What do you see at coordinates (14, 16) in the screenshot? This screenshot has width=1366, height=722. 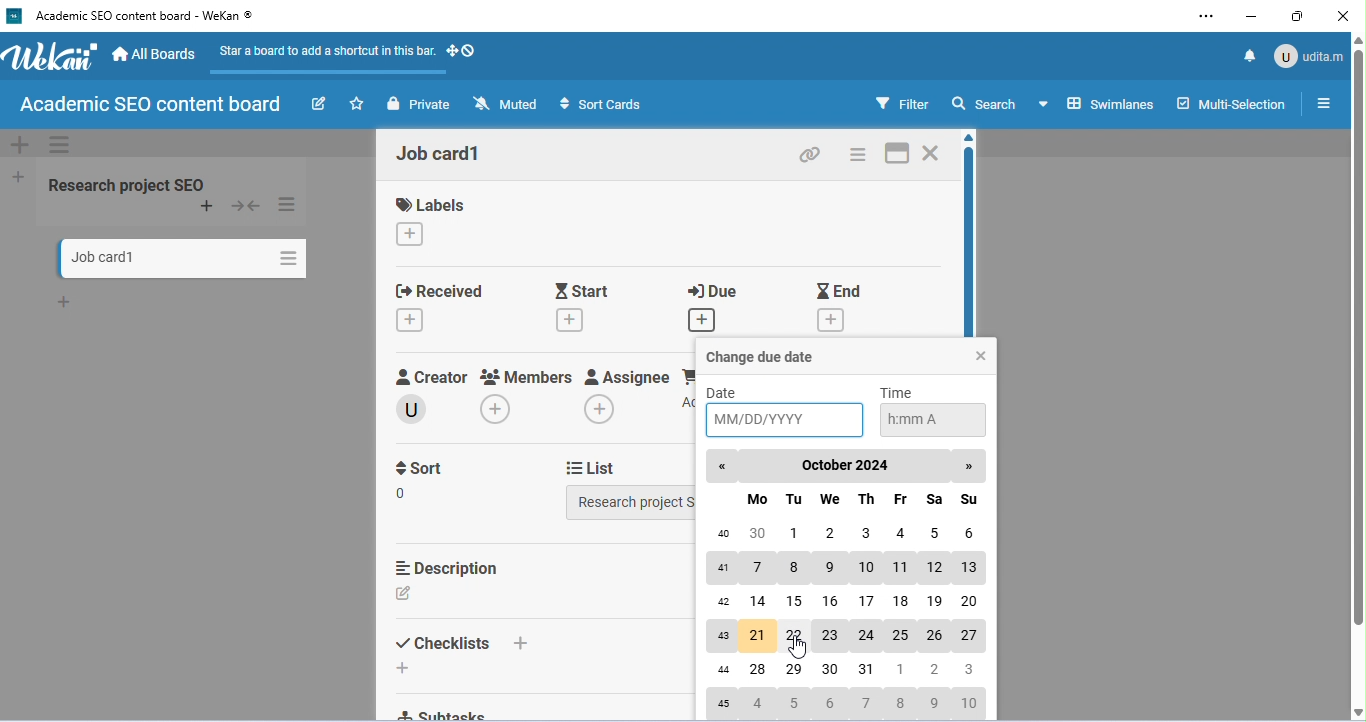 I see `wekan logo` at bounding box center [14, 16].